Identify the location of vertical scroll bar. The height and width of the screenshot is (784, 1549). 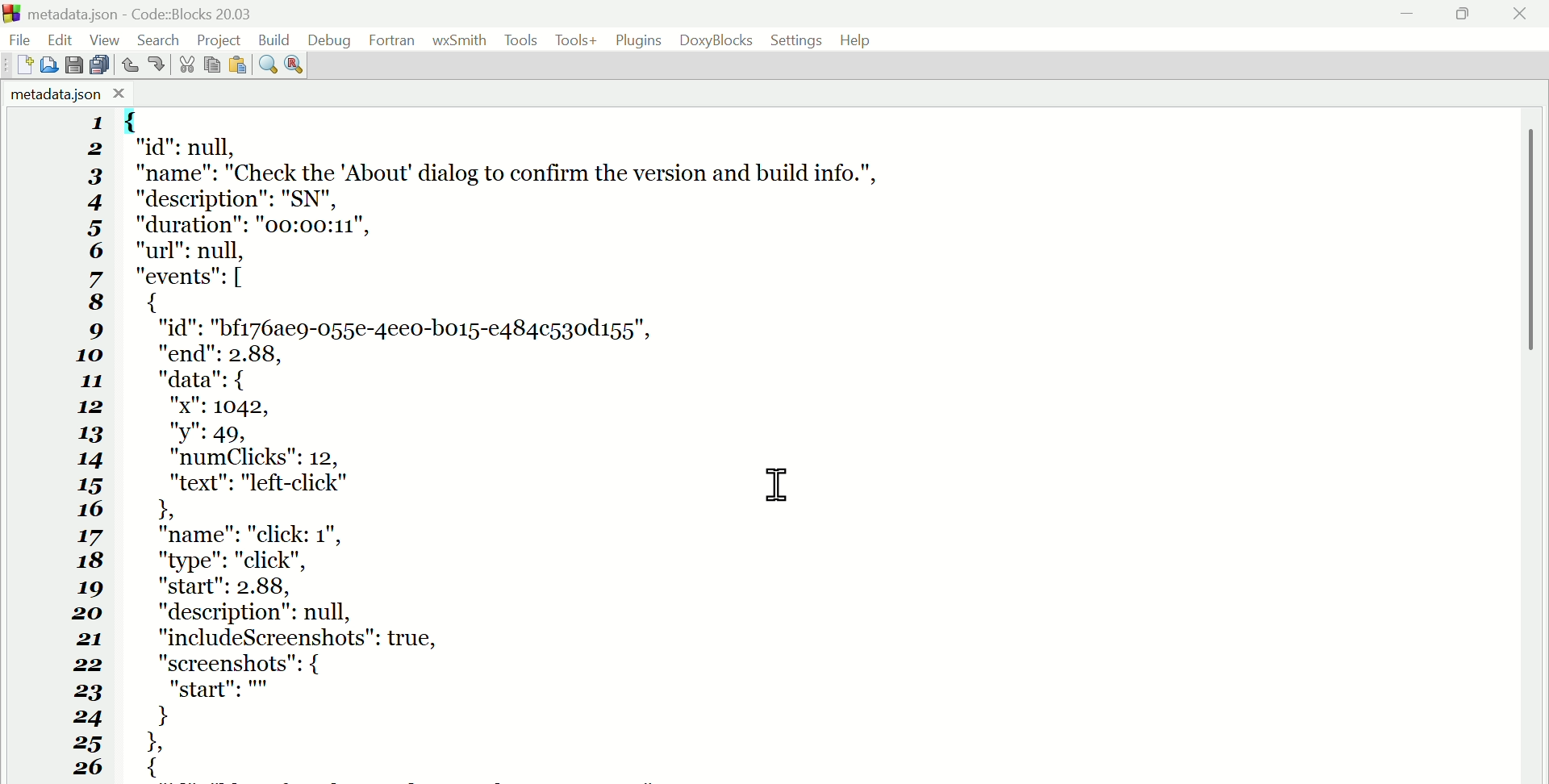
(1534, 277).